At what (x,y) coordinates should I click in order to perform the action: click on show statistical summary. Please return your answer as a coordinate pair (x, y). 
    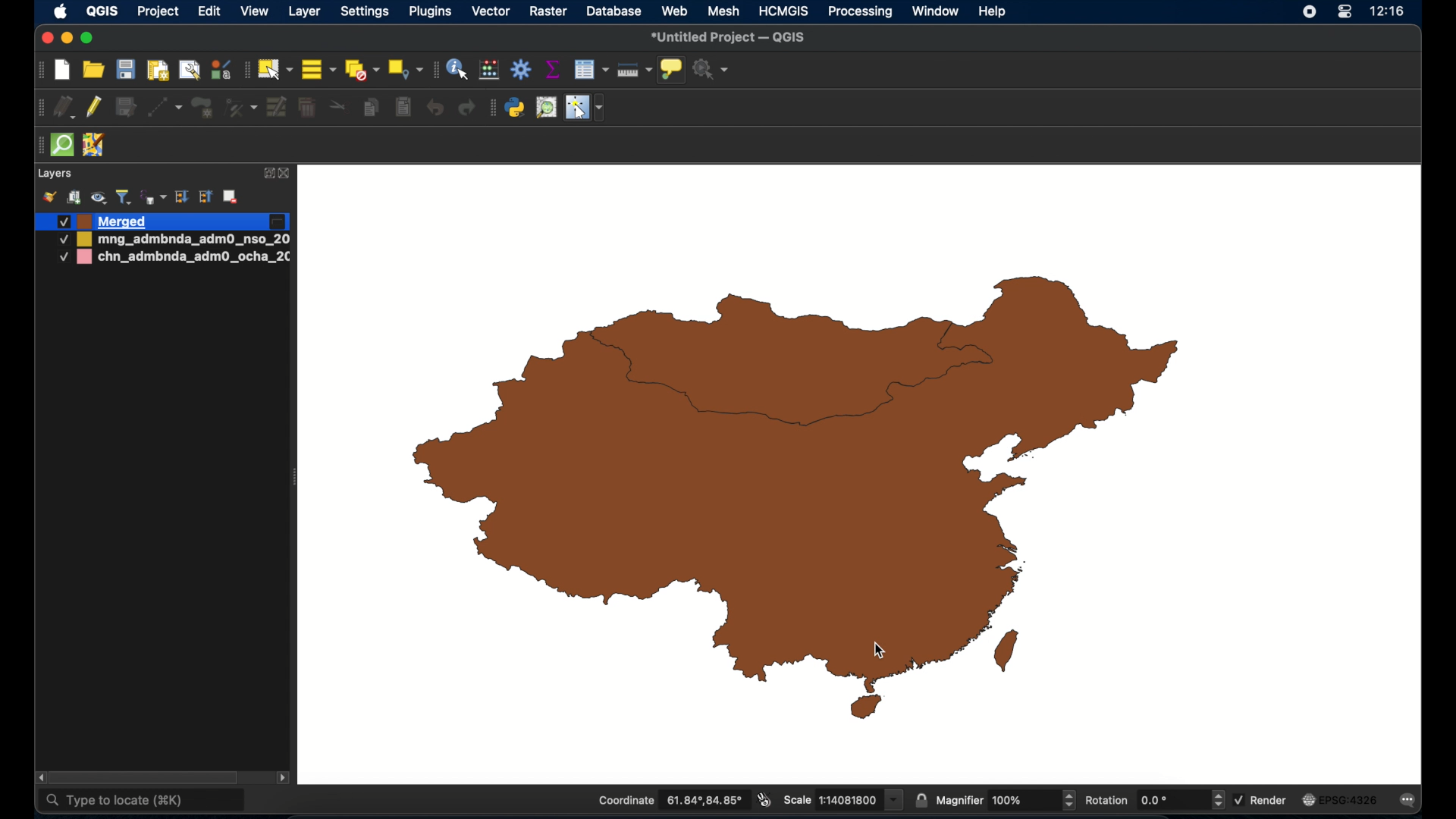
    Looking at the image, I should click on (551, 69).